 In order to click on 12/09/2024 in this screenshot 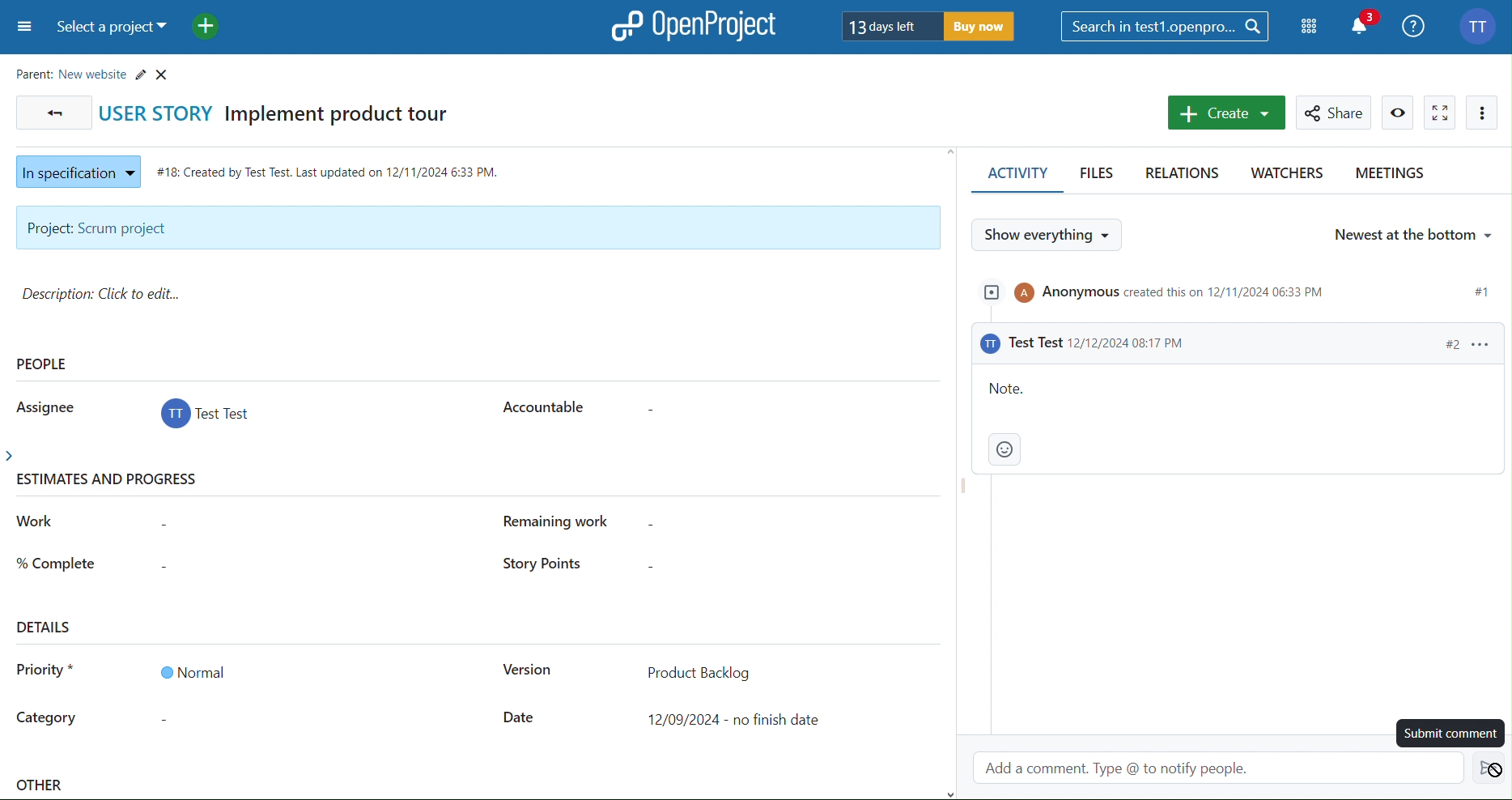, I will do `click(738, 720)`.